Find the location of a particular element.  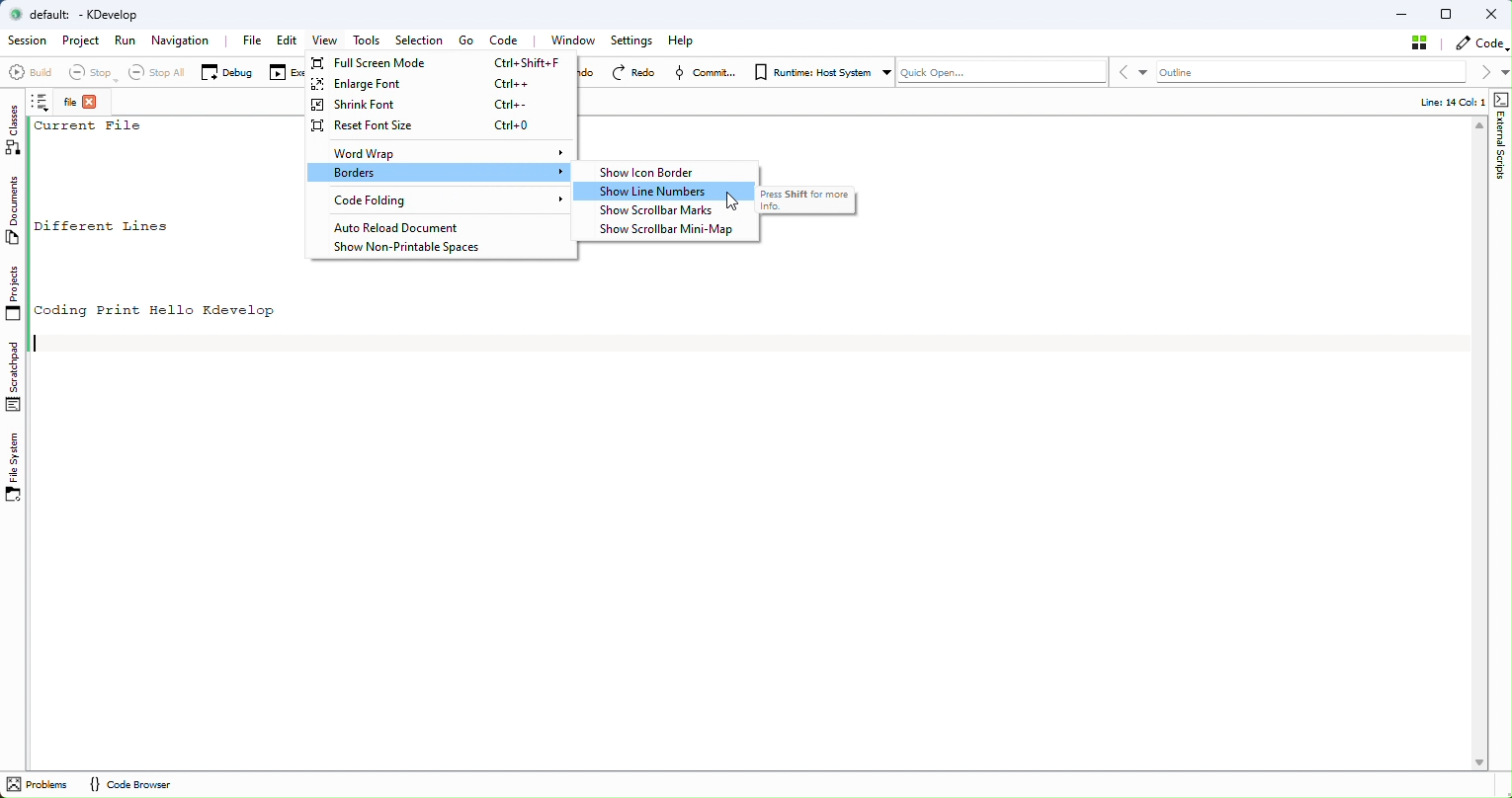

Stash is located at coordinates (1421, 42).